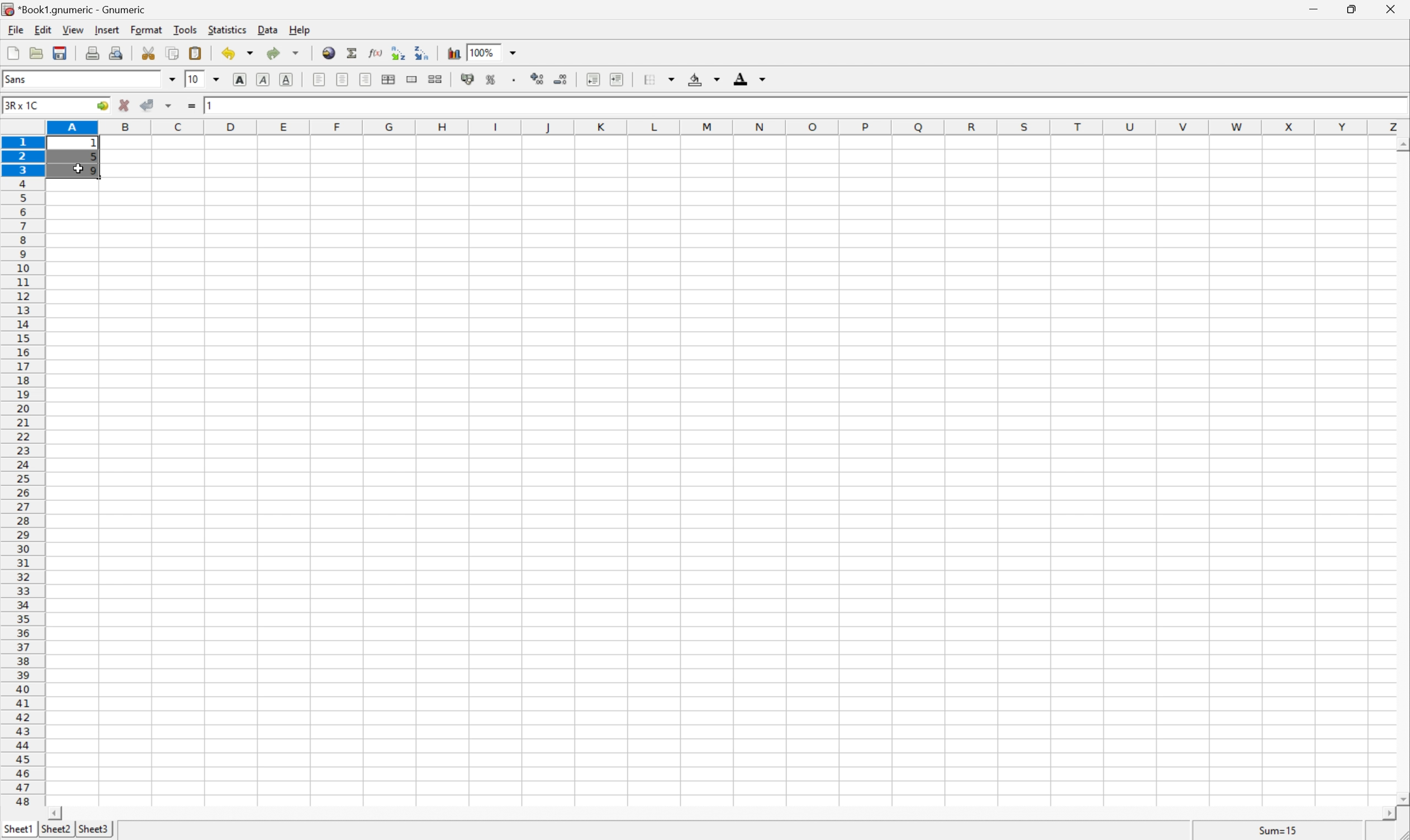 Image resolution: width=1410 pixels, height=840 pixels. Describe the element at coordinates (148, 52) in the screenshot. I see `cut` at that location.